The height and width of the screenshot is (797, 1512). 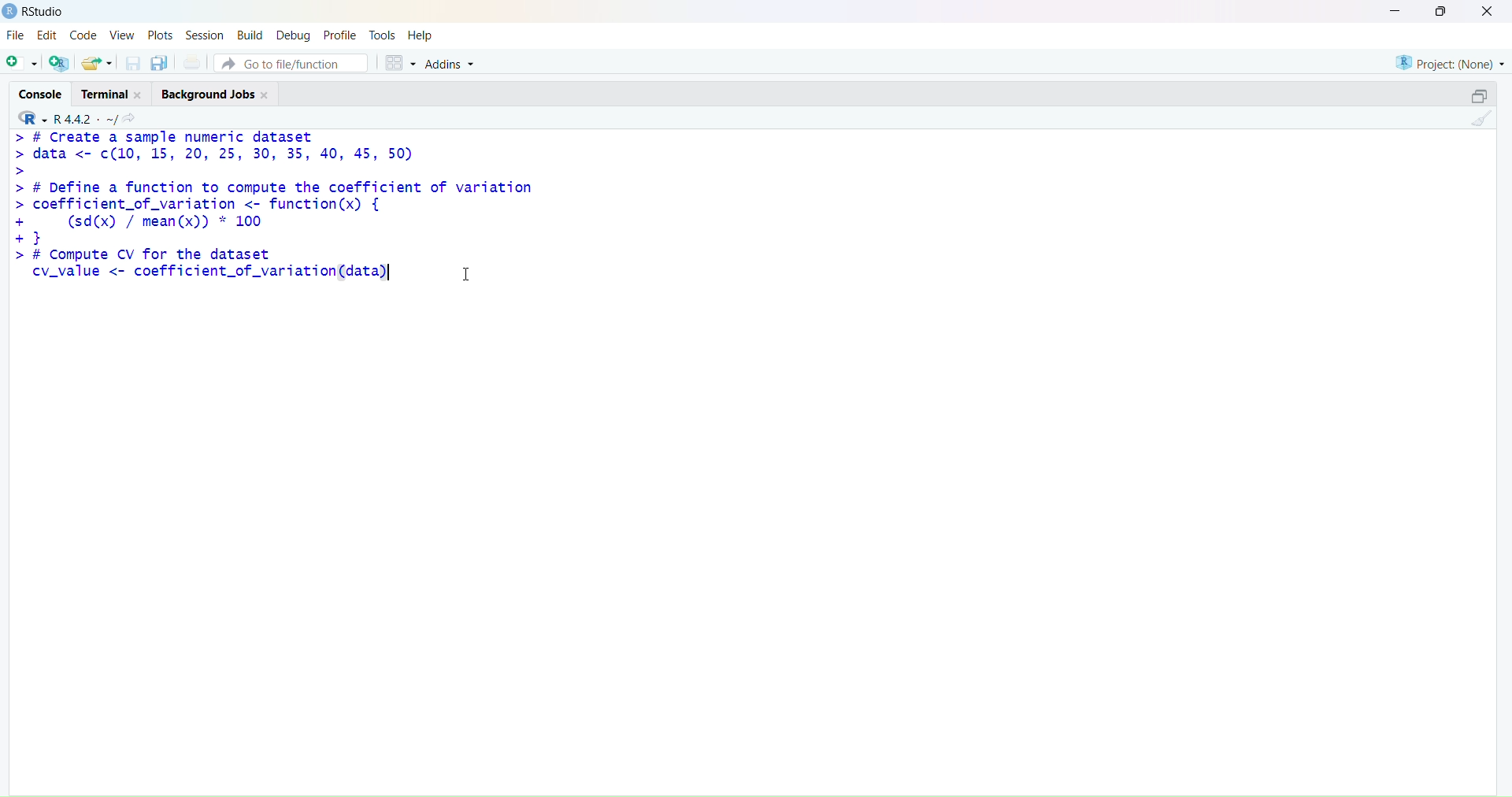 I want to click on add file as, so click(x=22, y=64).